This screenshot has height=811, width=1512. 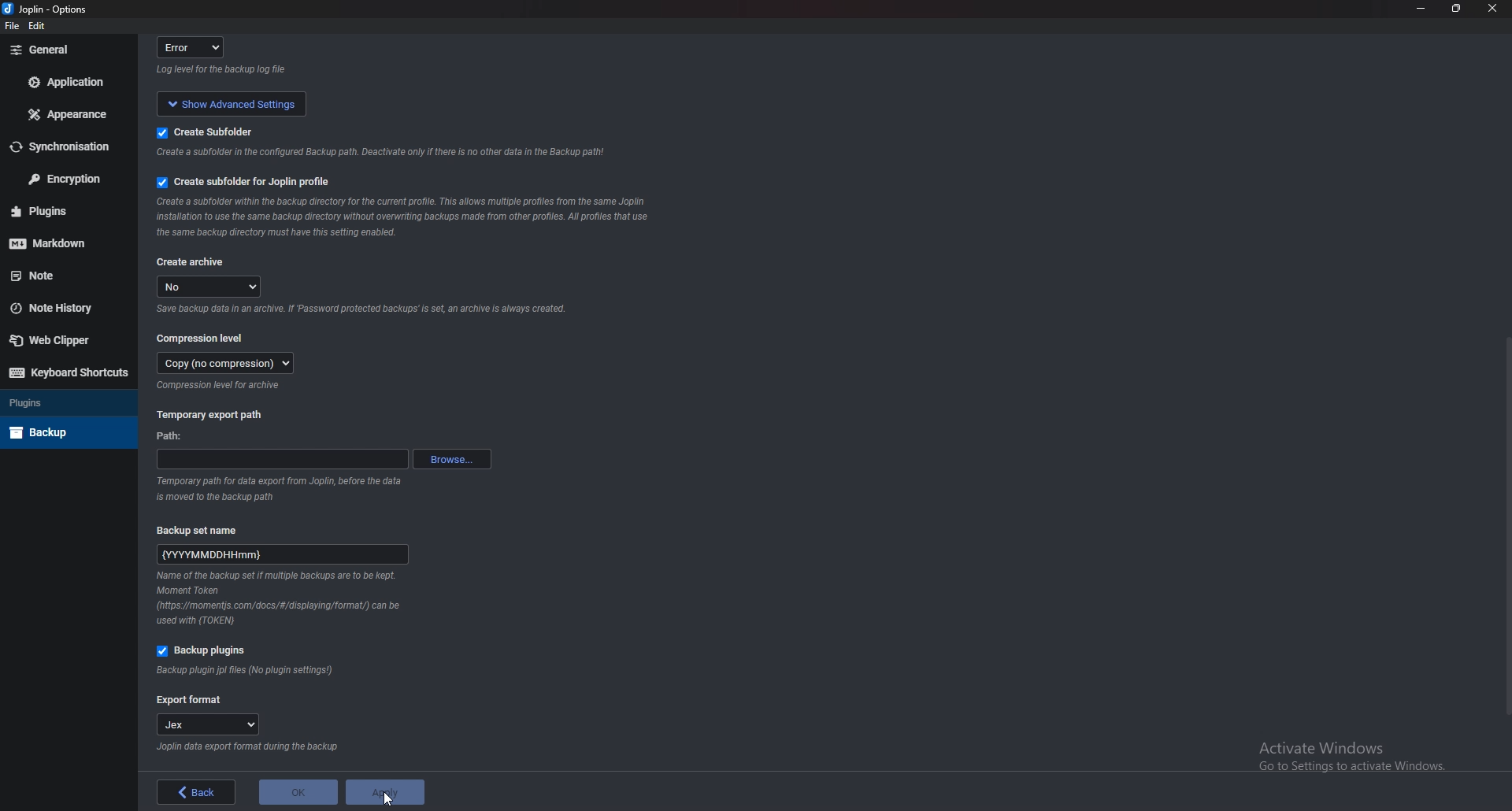 I want to click on no, so click(x=211, y=287).